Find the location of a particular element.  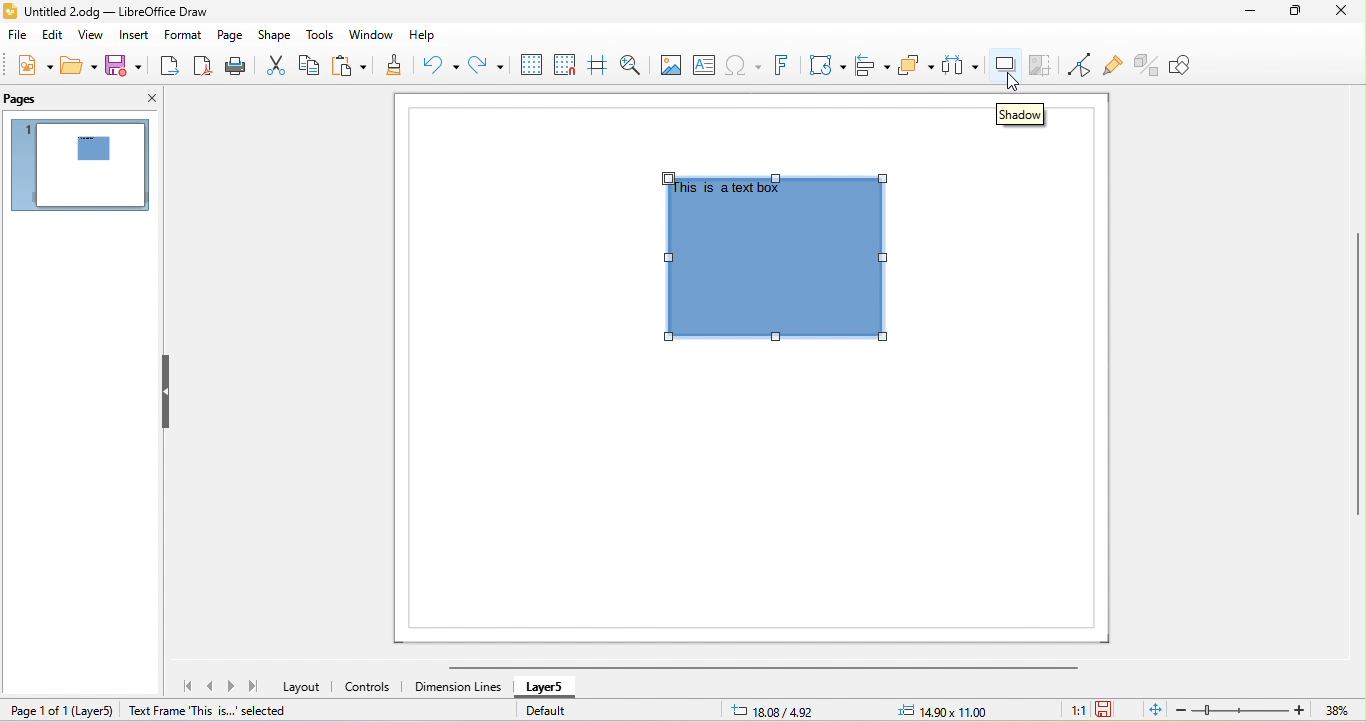

previous page is located at coordinates (214, 687).